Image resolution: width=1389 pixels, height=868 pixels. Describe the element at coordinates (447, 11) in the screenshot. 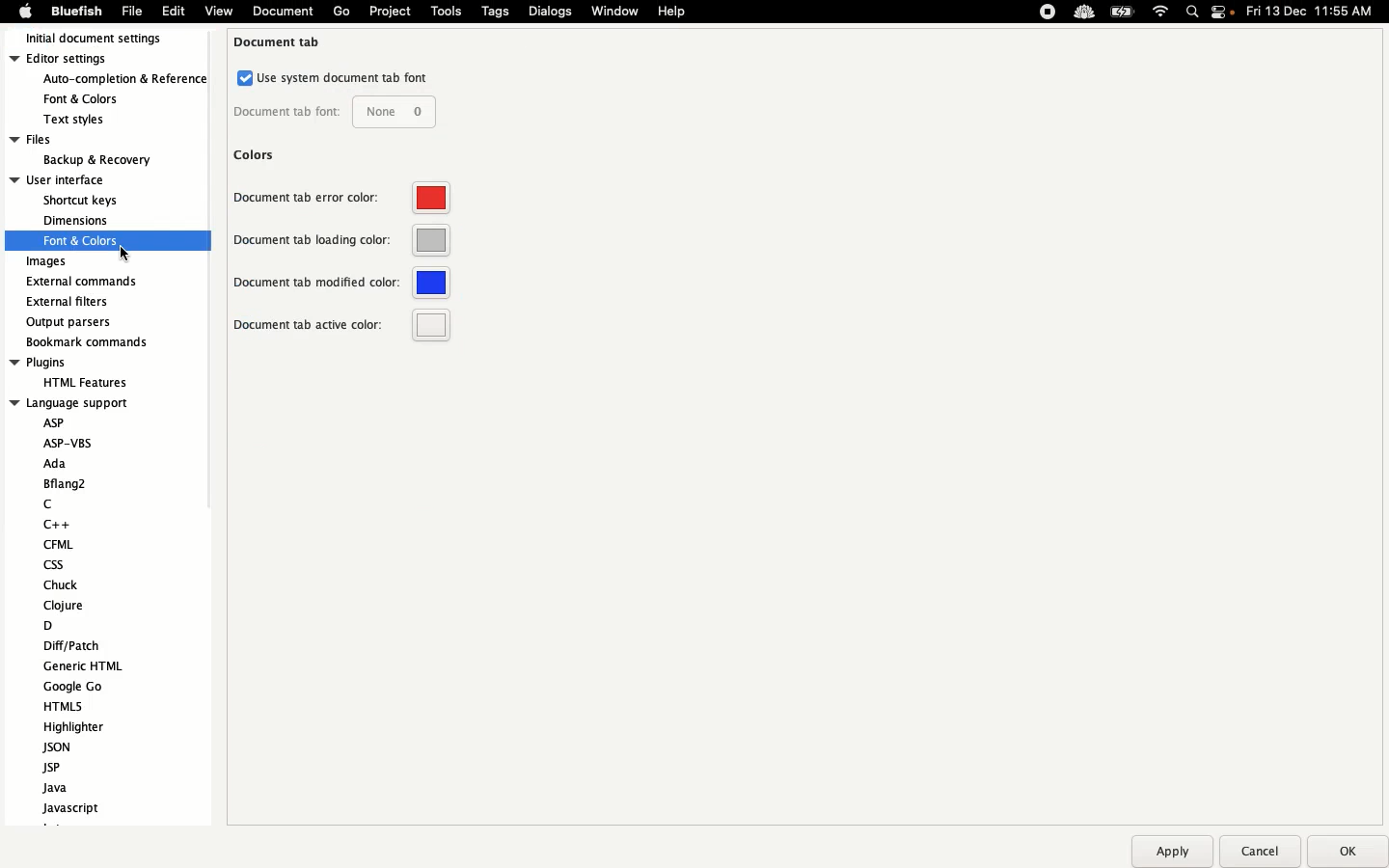

I see `Tools` at that location.